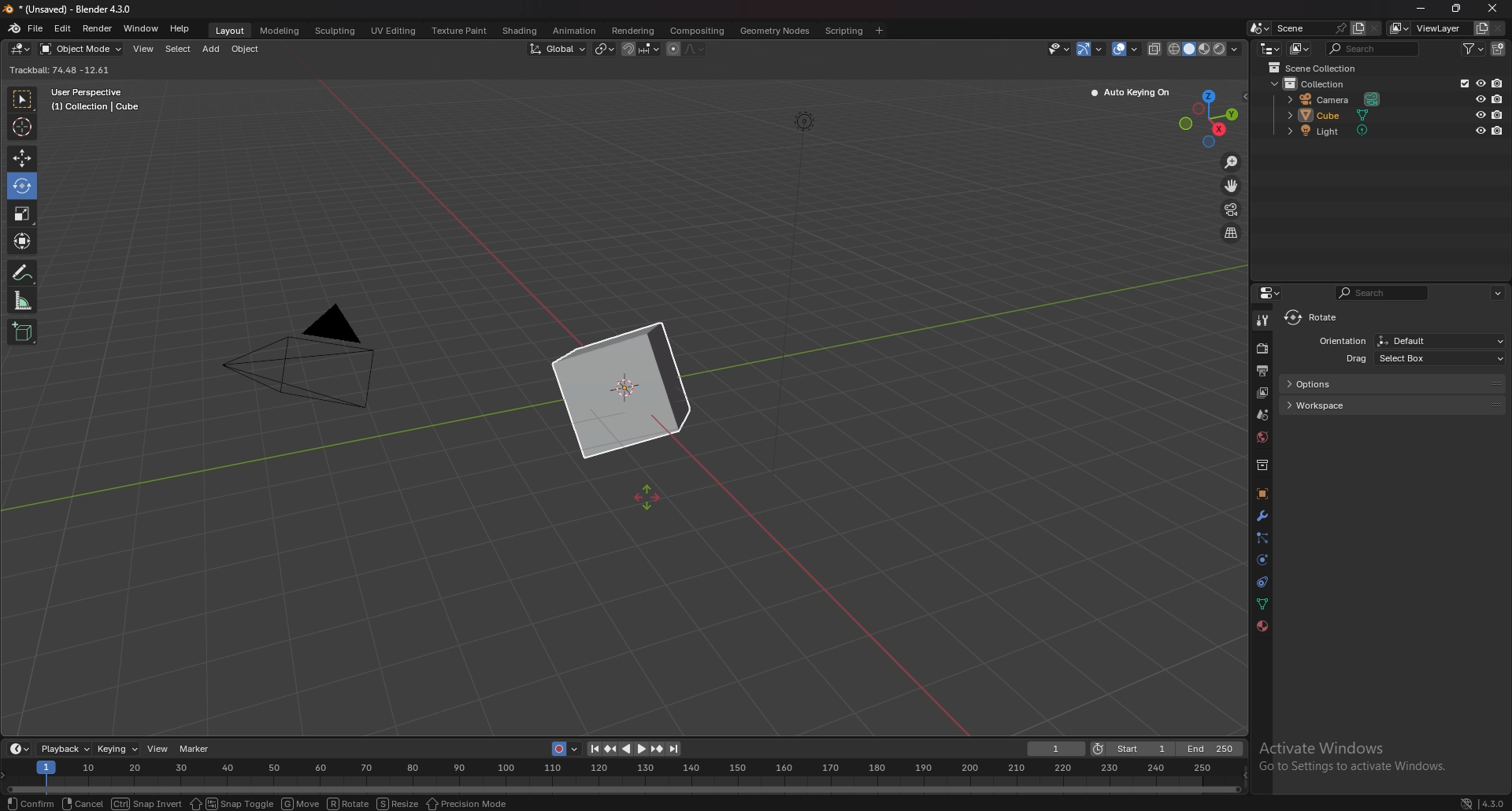 This screenshot has height=811, width=1512. I want to click on search, so click(1374, 49).